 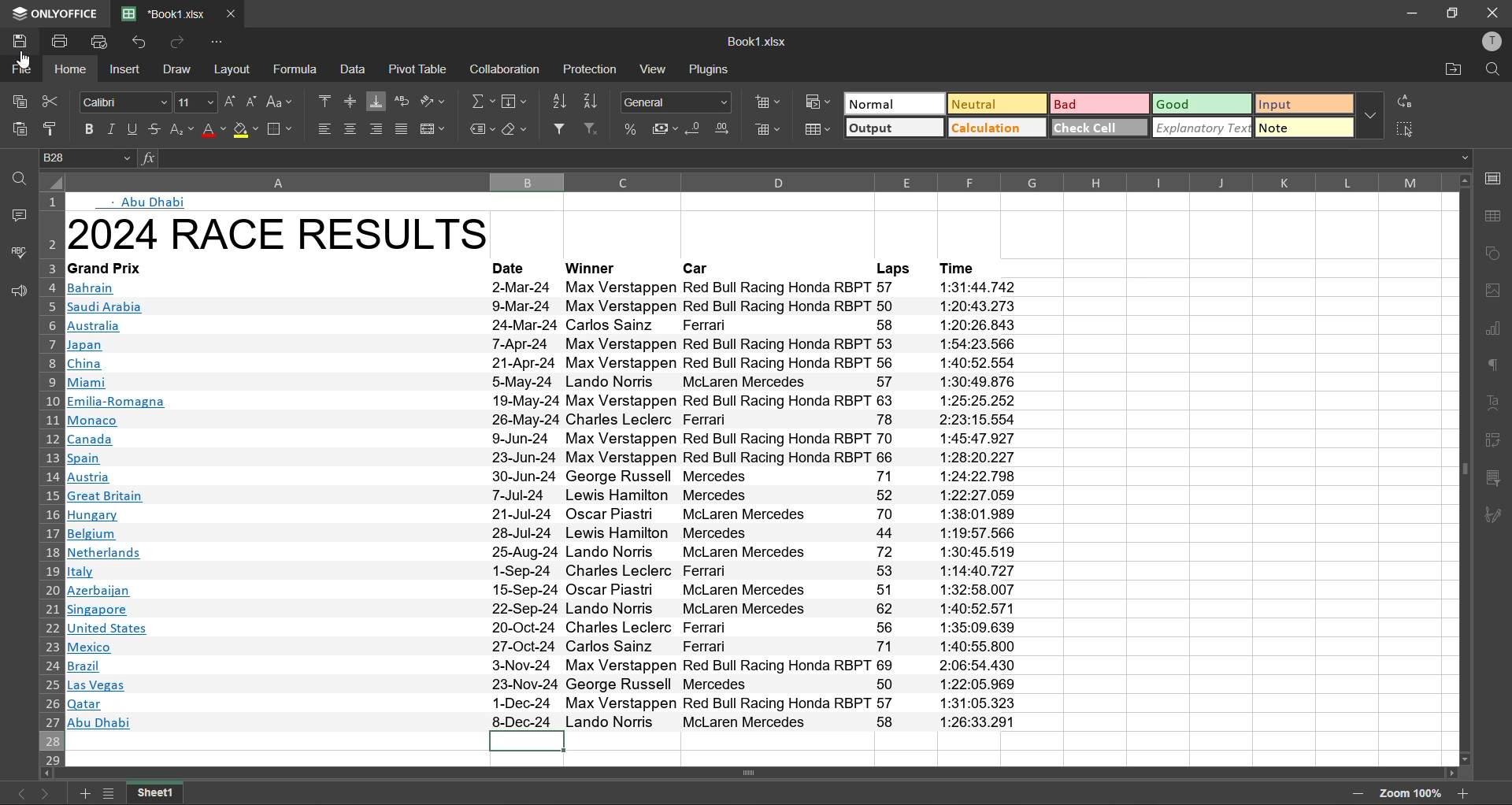 I want to click on sub\script, so click(x=181, y=129).